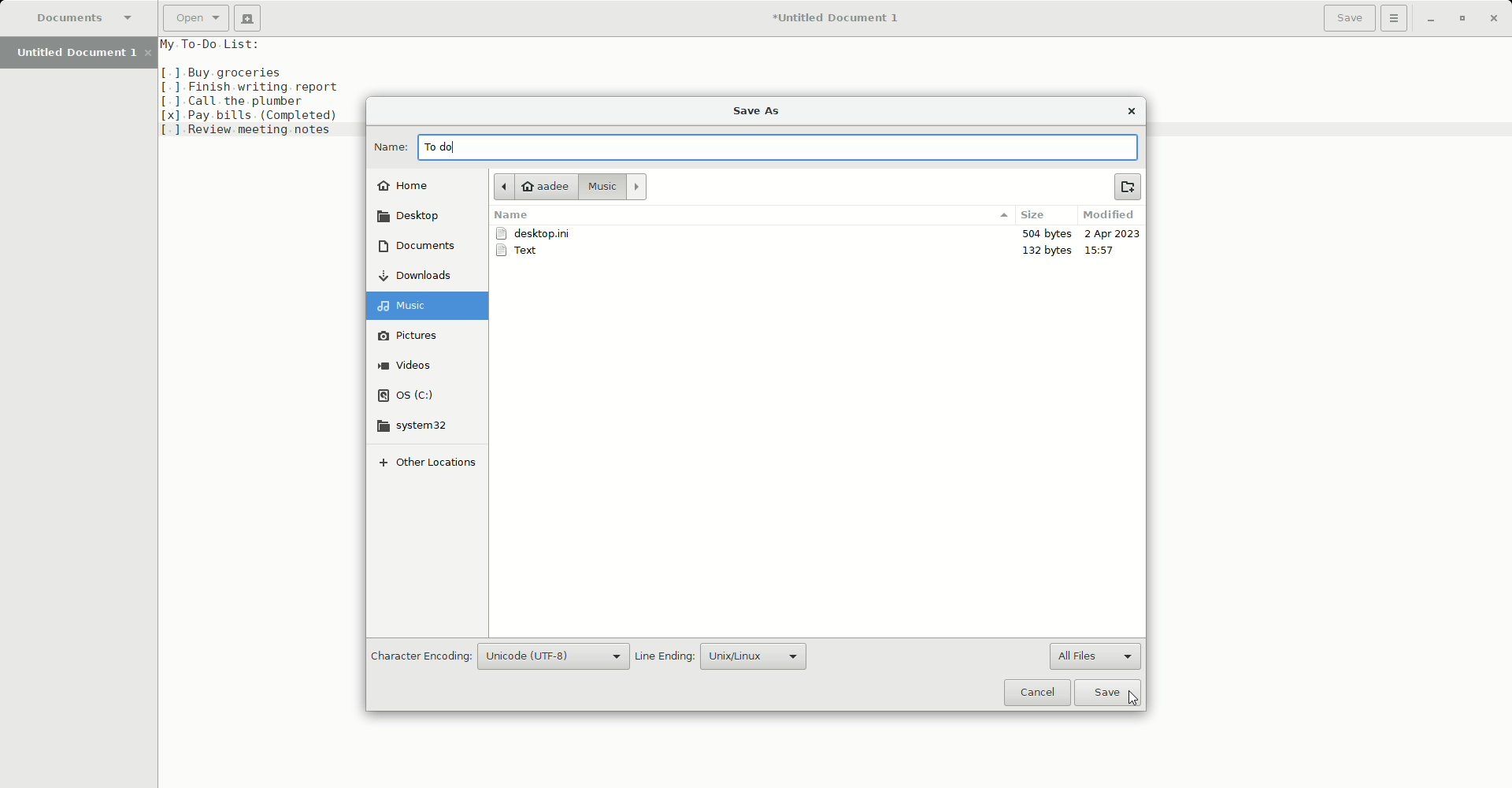 This screenshot has height=788, width=1512. What do you see at coordinates (414, 426) in the screenshot?
I see `system32` at bounding box center [414, 426].